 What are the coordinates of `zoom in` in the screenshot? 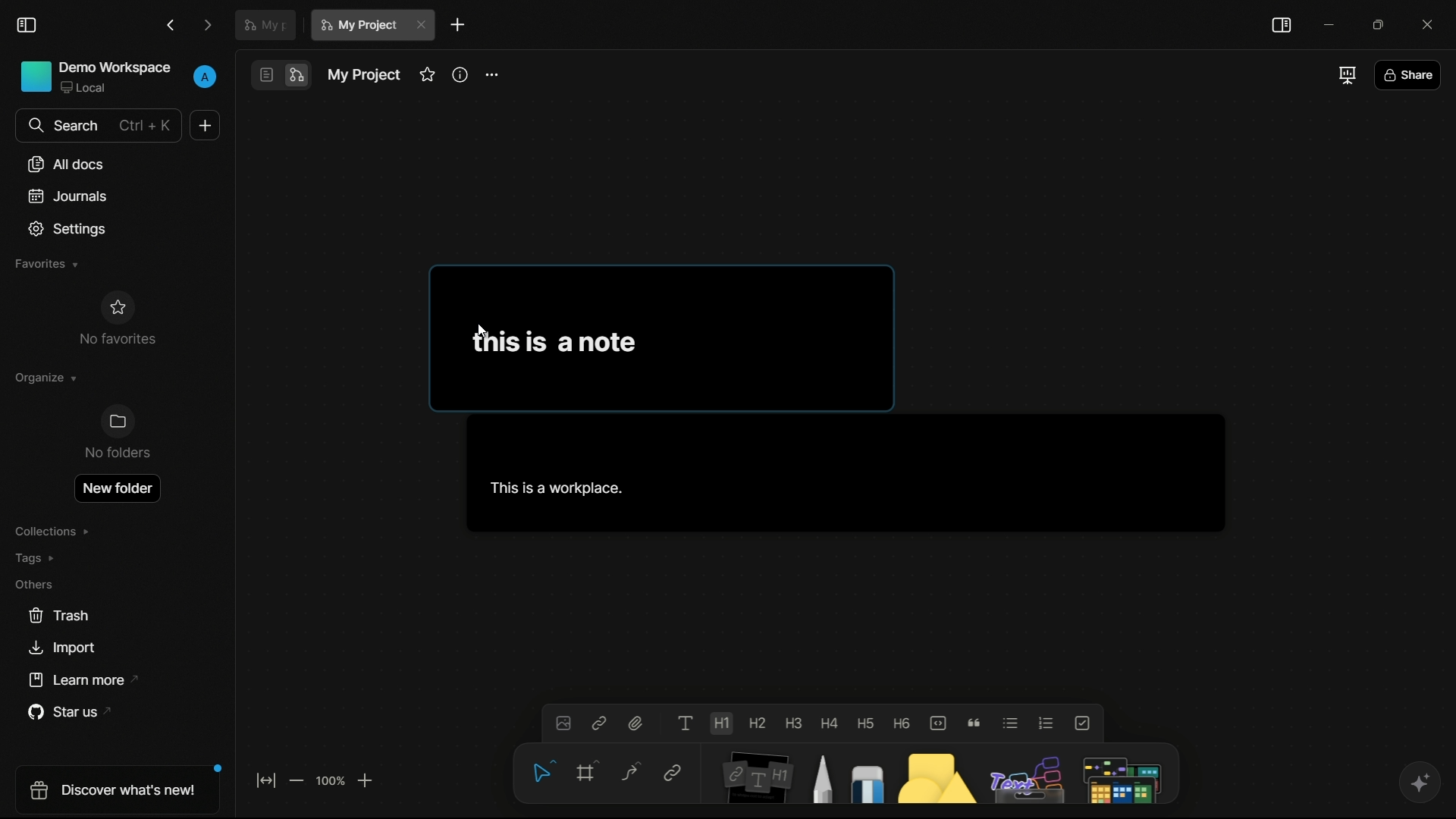 It's located at (366, 780).